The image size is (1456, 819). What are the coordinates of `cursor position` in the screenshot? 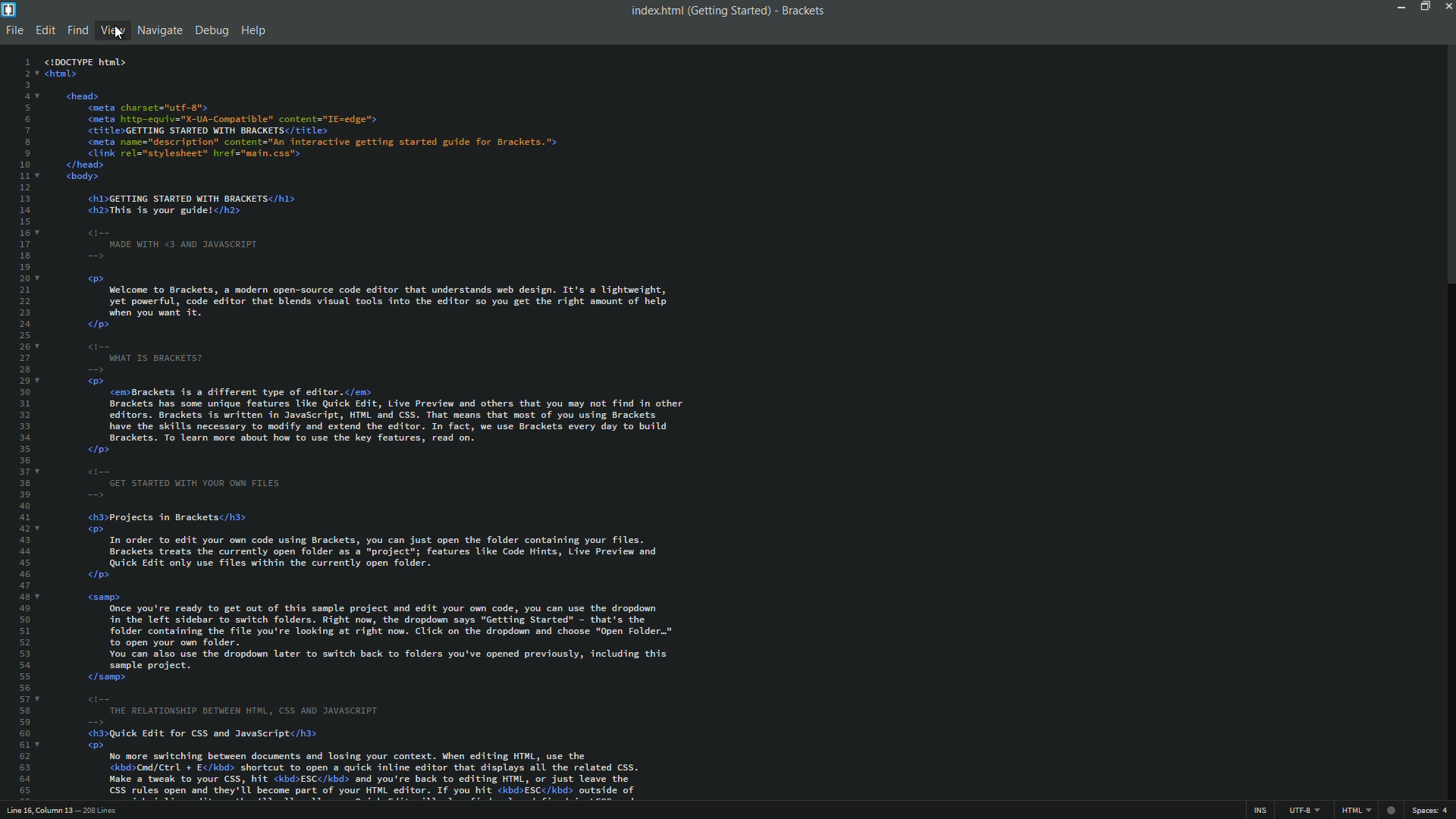 It's located at (41, 811).